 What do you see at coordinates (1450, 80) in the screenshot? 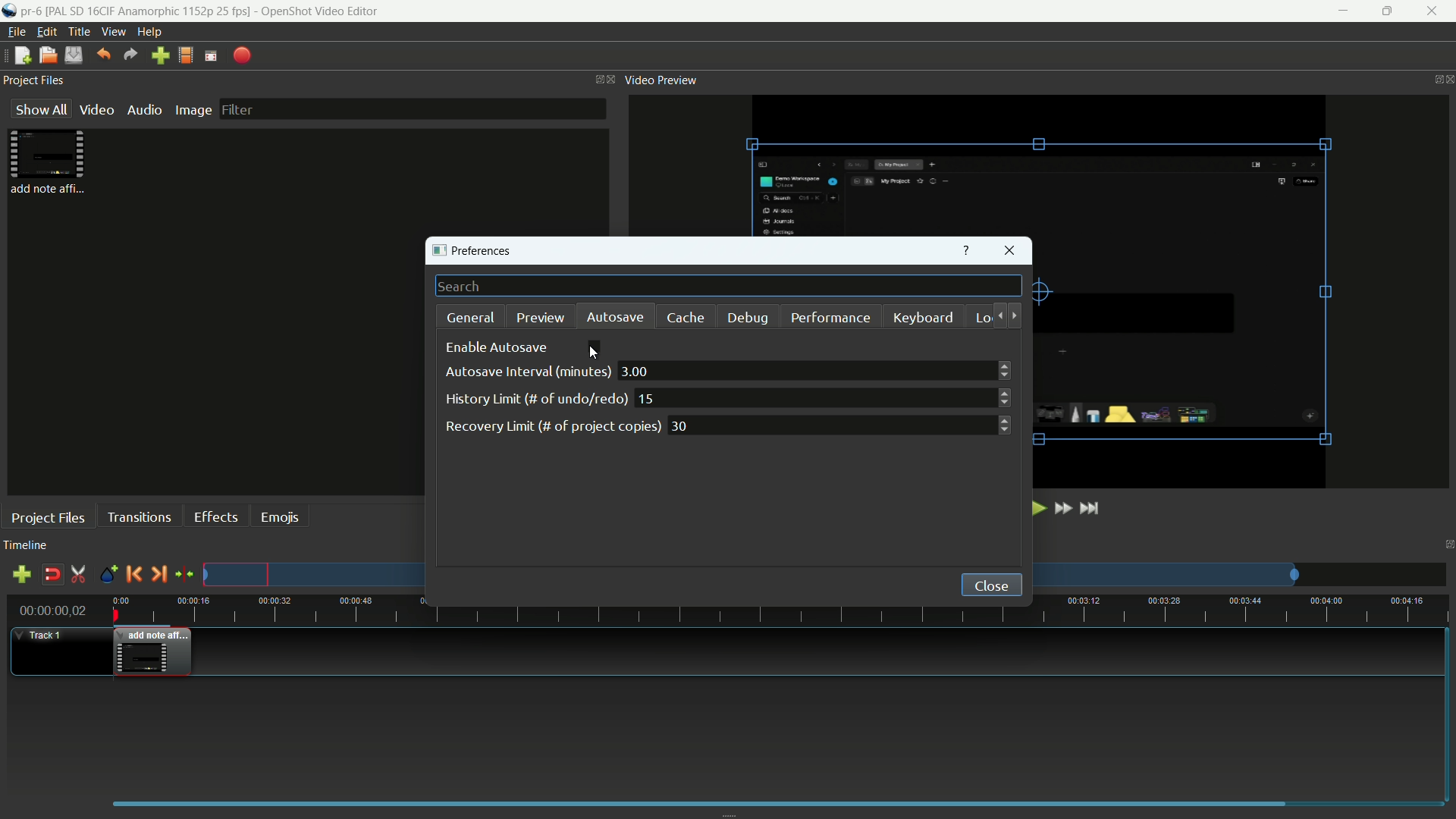
I see `close video preview` at bounding box center [1450, 80].